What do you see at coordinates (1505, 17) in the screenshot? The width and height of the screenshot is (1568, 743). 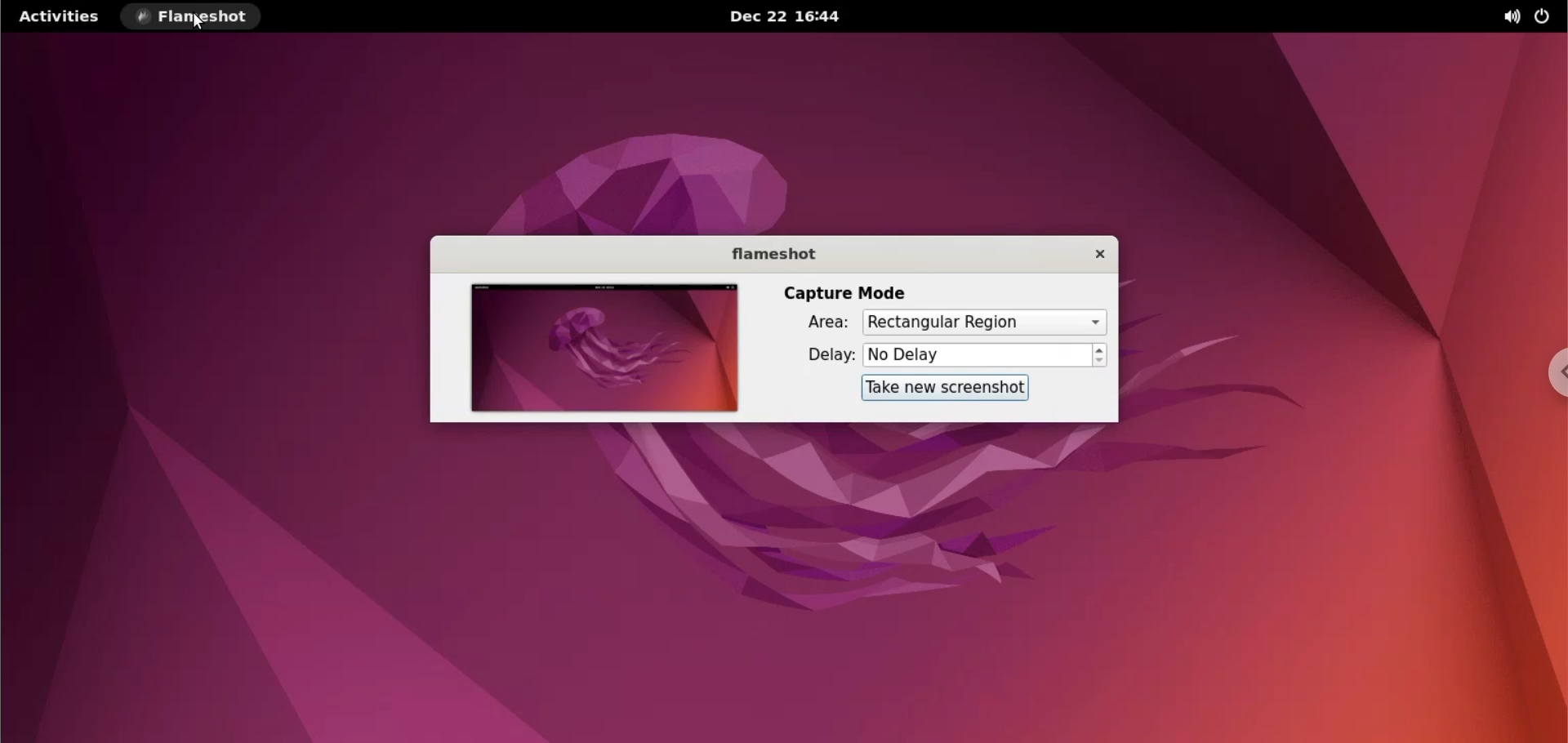 I see `sound options` at bounding box center [1505, 17].